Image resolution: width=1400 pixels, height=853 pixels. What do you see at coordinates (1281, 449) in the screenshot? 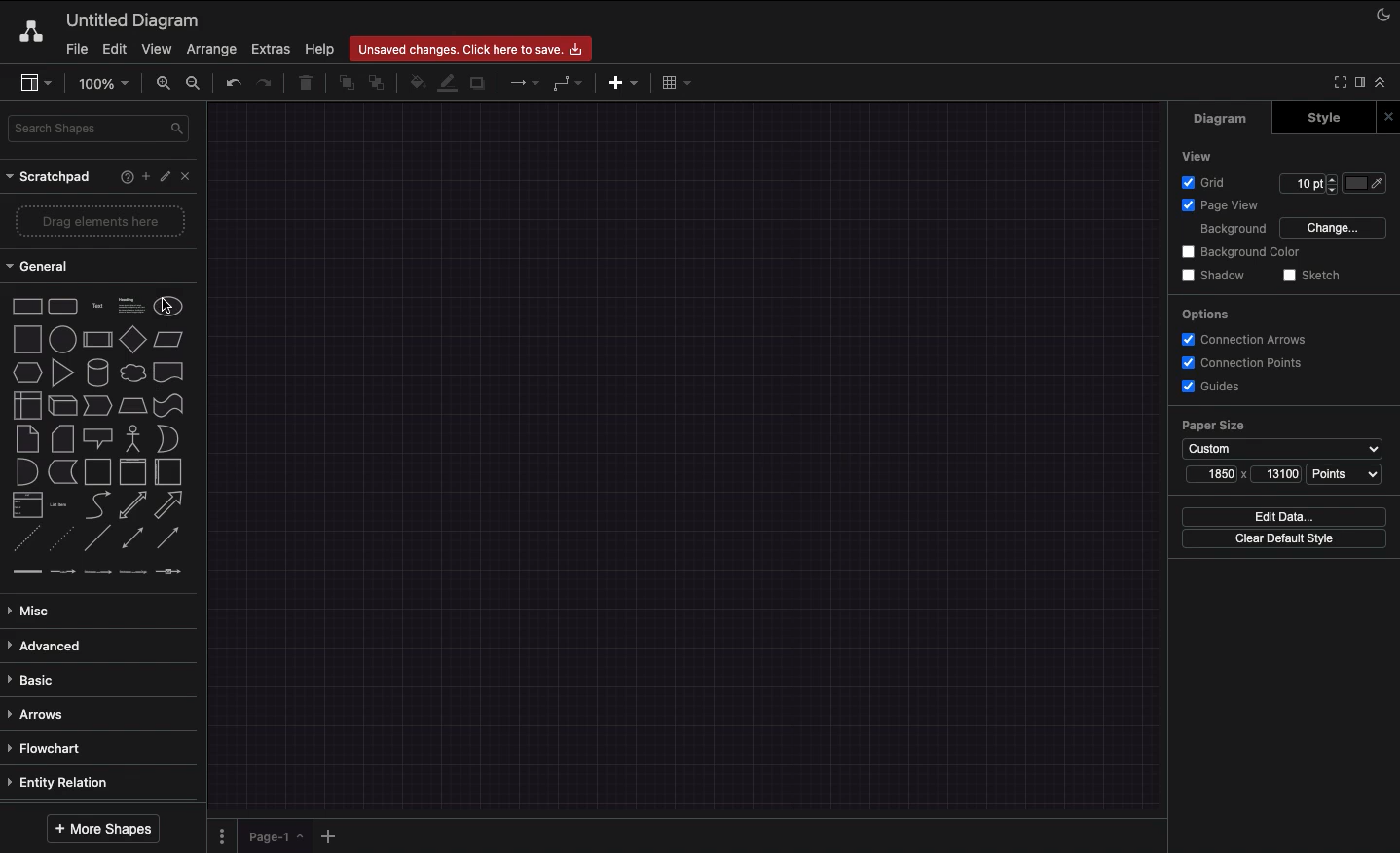
I see `Custom` at bounding box center [1281, 449].